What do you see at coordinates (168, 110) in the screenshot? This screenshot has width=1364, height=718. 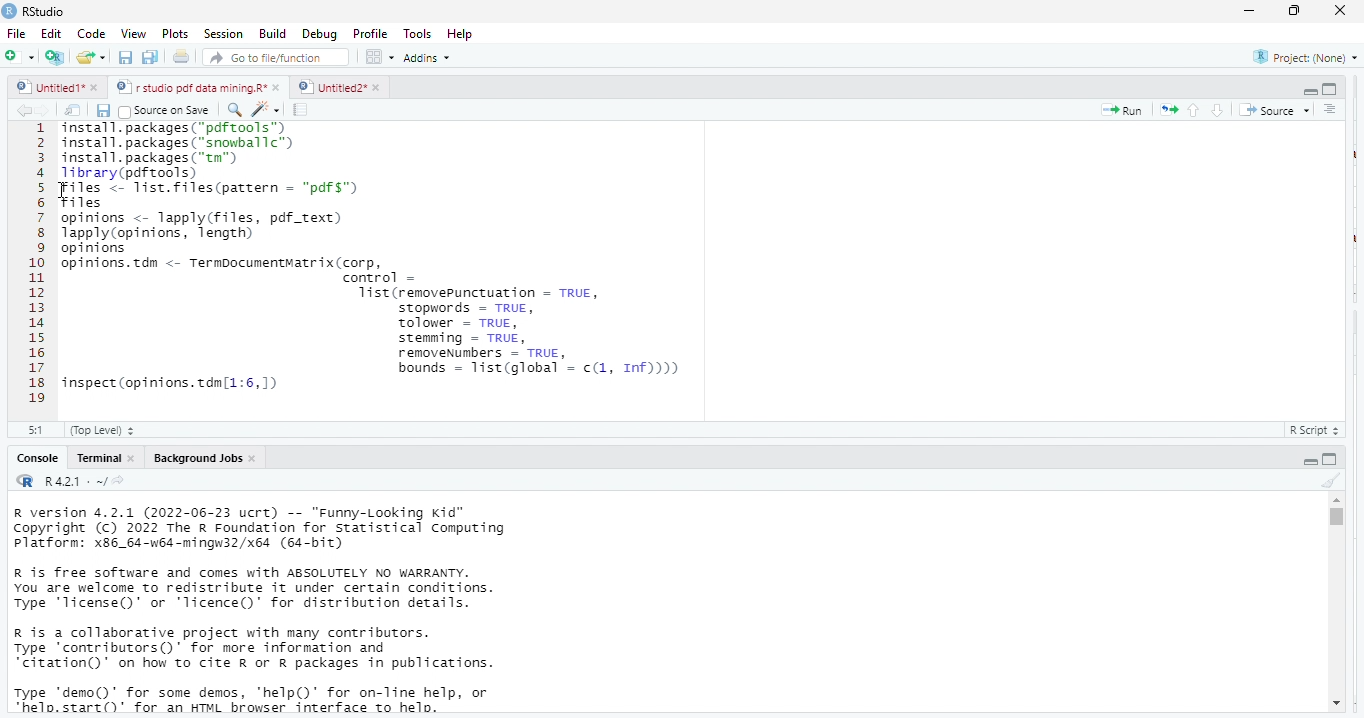 I see `source on save` at bounding box center [168, 110].